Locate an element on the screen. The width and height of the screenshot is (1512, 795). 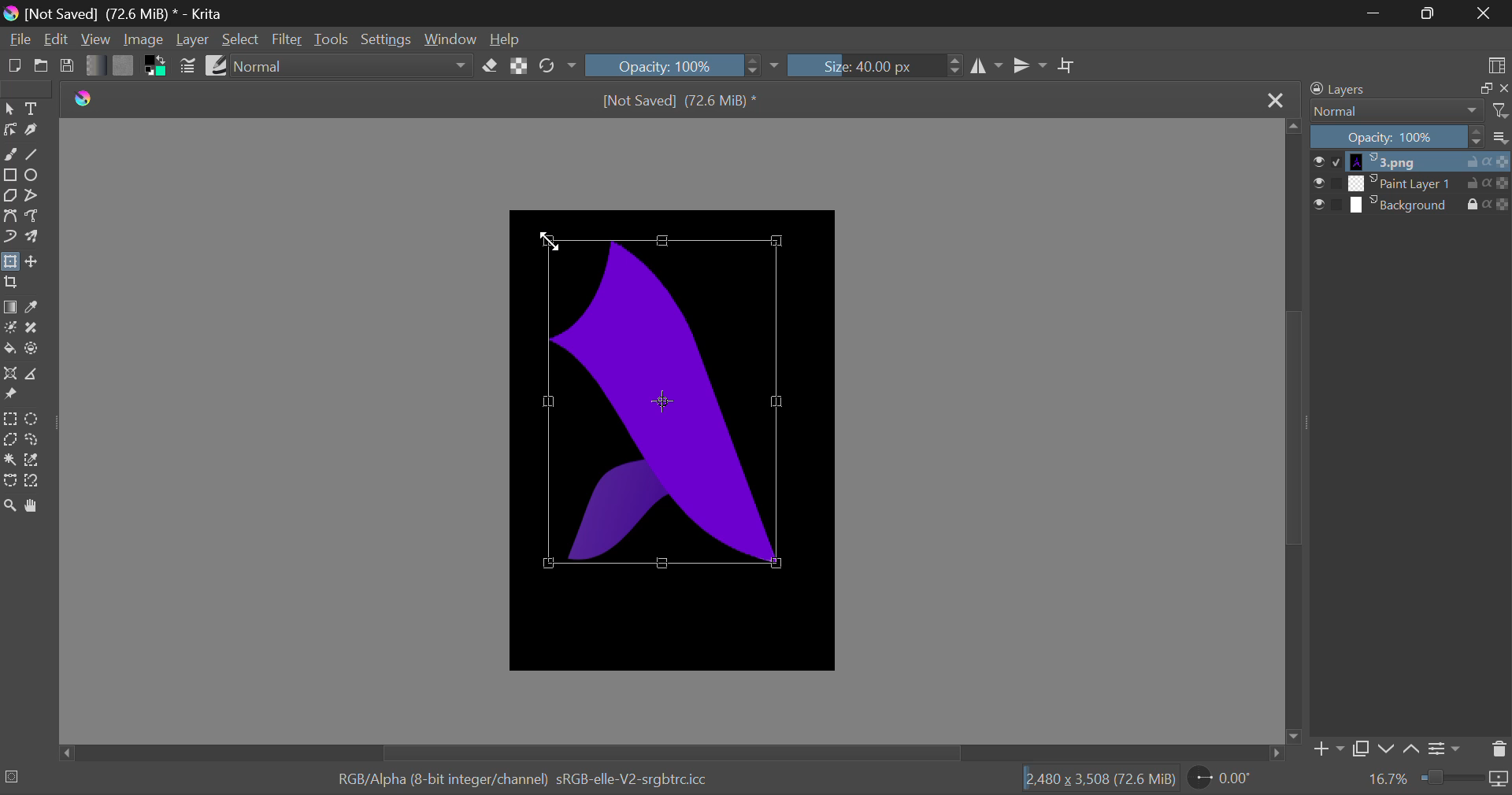
Brush Settings is located at coordinates (189, 68).